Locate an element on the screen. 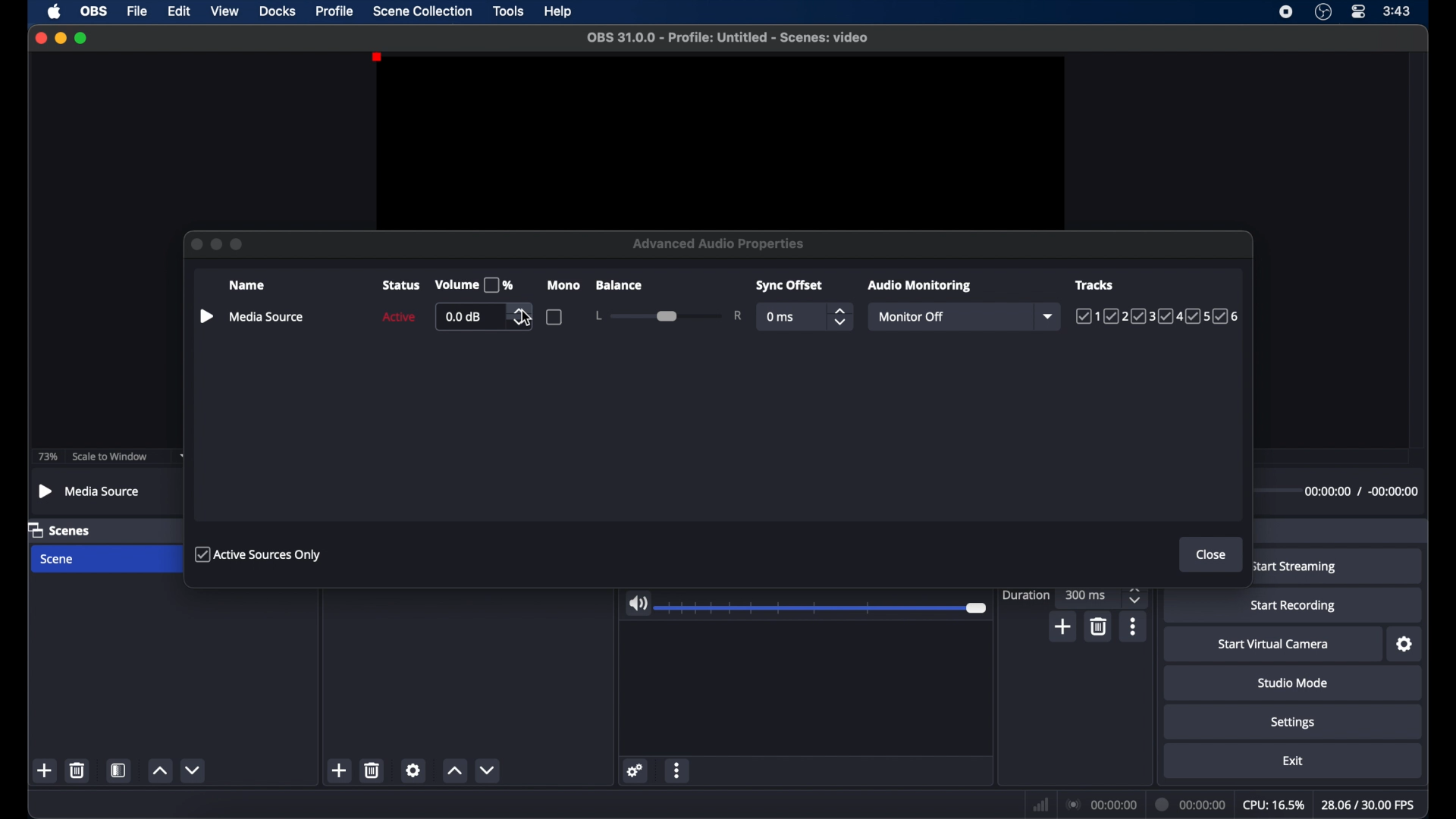  scenes is located at coordinates (59, 529).